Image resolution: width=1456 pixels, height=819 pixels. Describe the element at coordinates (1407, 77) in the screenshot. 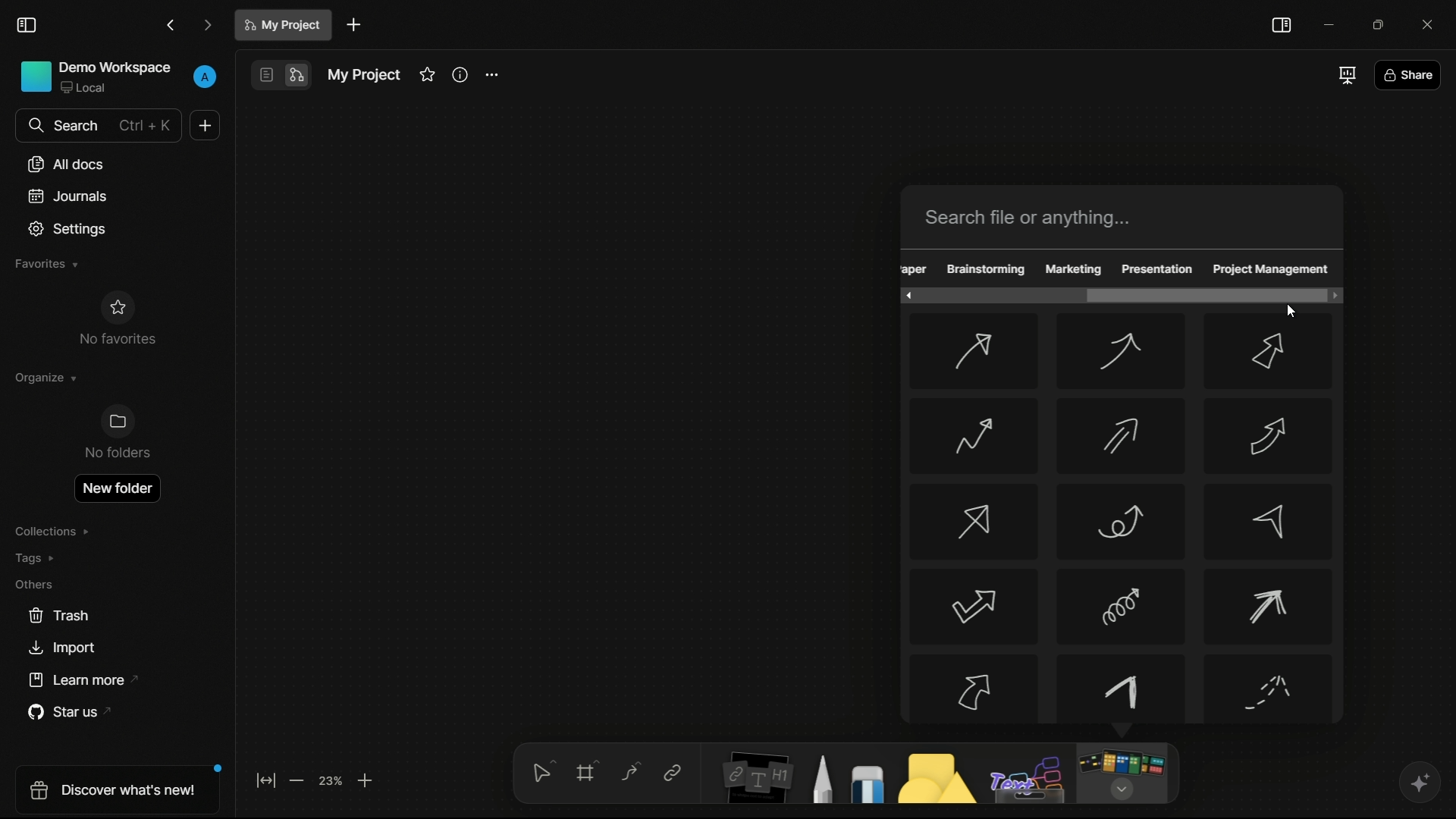

I see `share` at that location.